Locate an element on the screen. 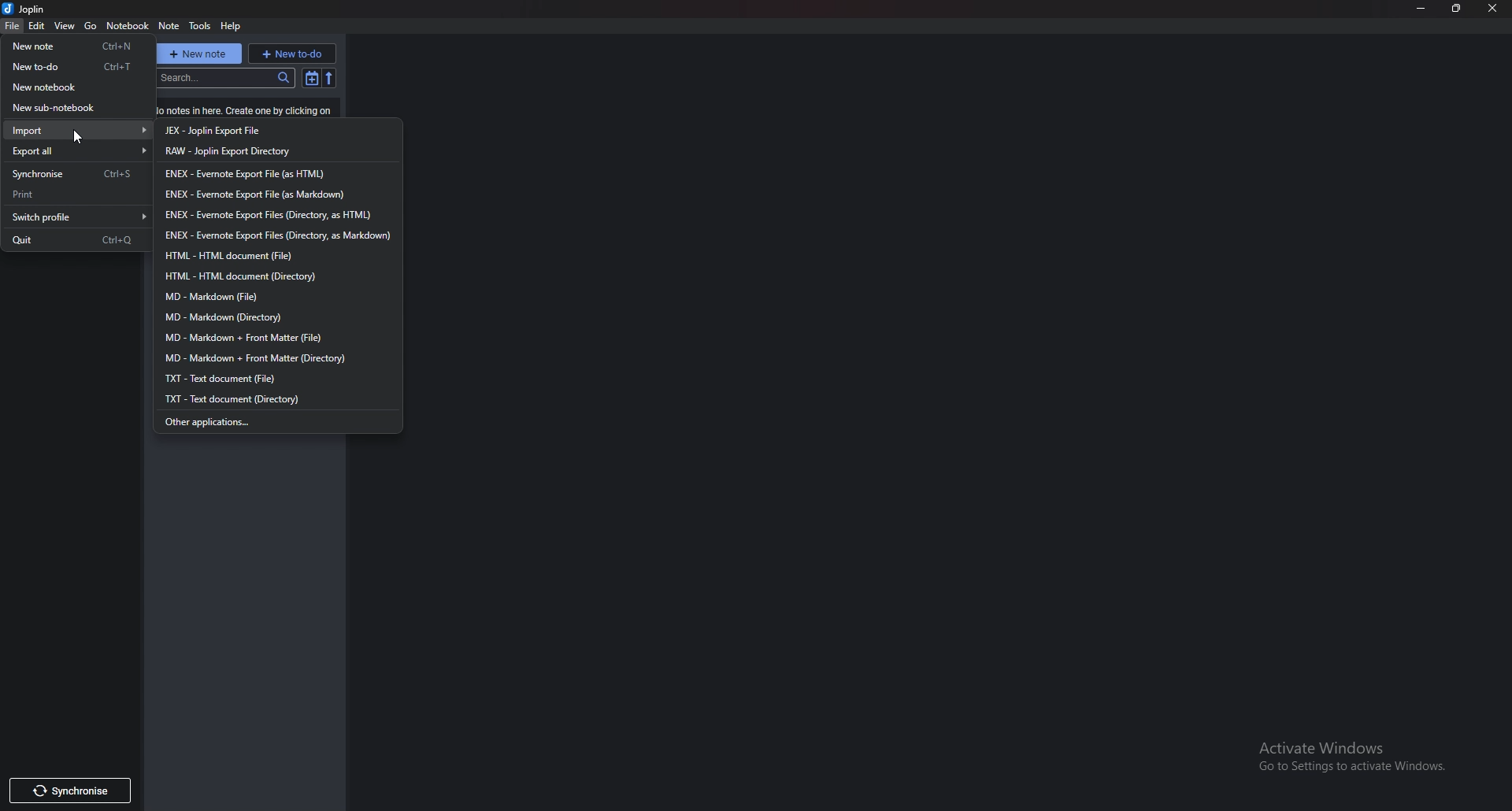 Image resolution: width=1512 pixels, height=811 pixels. quit is located at coordinates (75, 240).